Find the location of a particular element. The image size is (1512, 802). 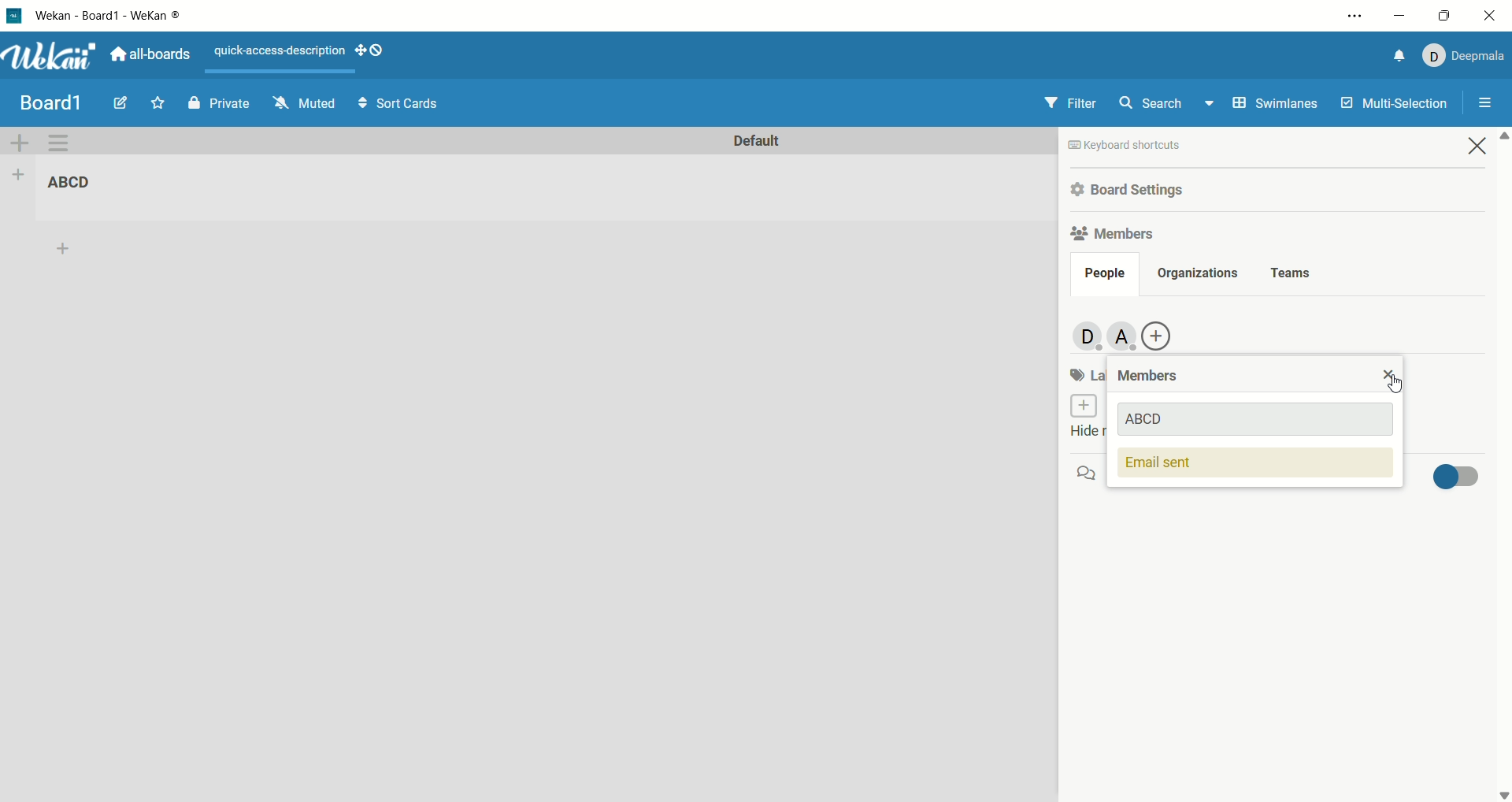

settings and options is located at coordinates (1355, 17).